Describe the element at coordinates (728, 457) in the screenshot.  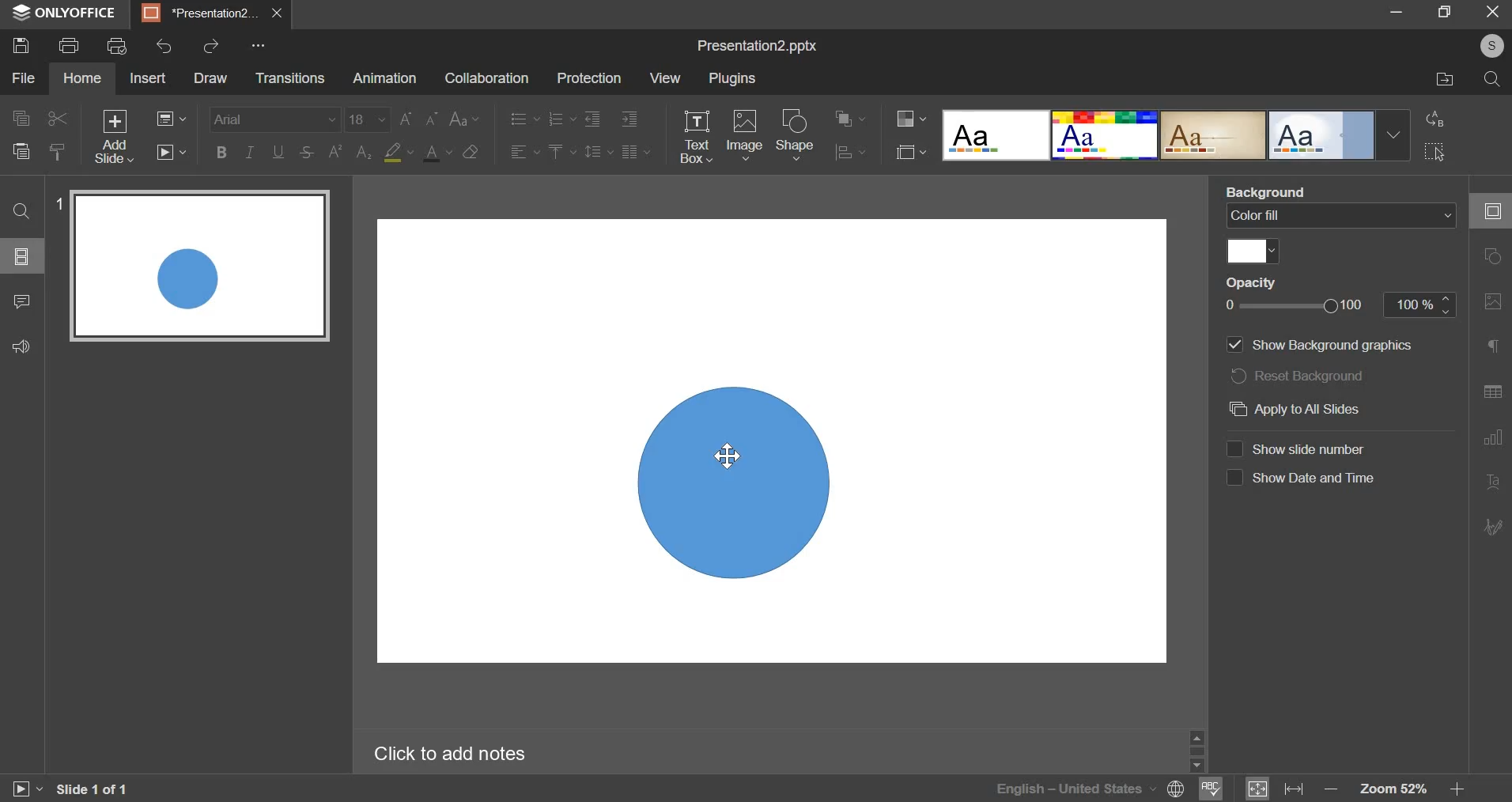
I see `cursor` at that location.